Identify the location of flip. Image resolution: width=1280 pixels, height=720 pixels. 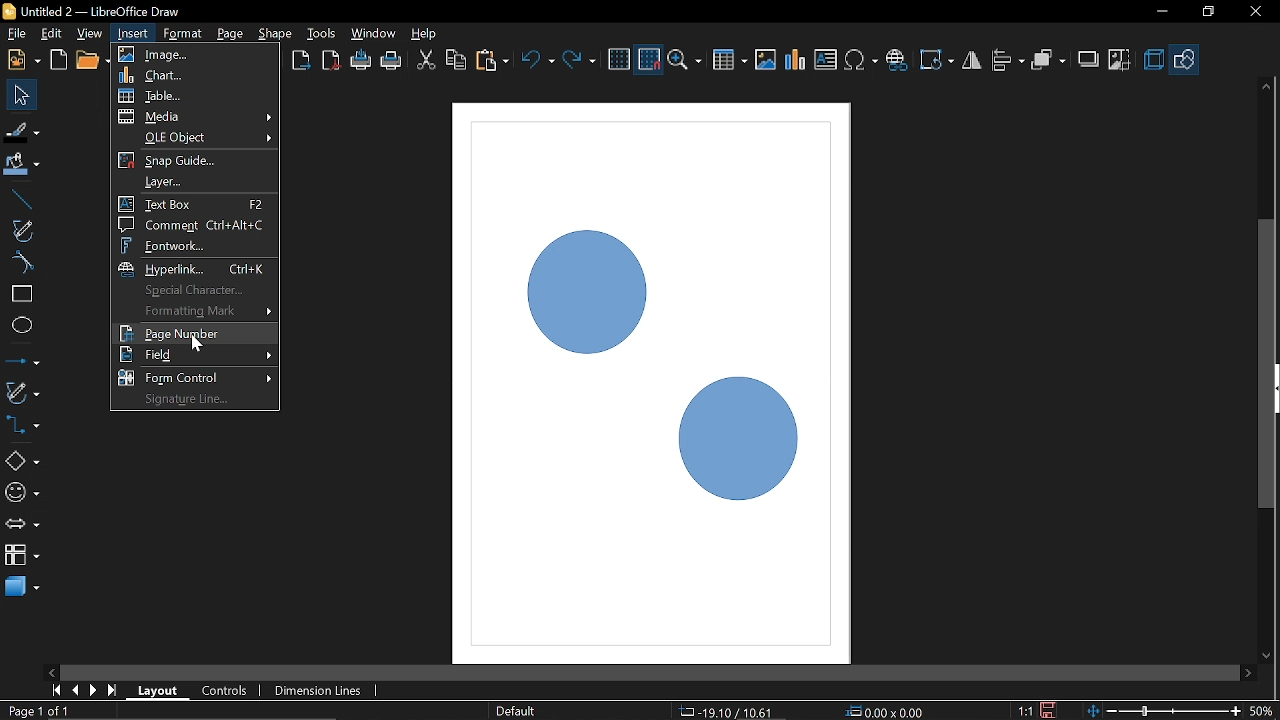
(973, 62).